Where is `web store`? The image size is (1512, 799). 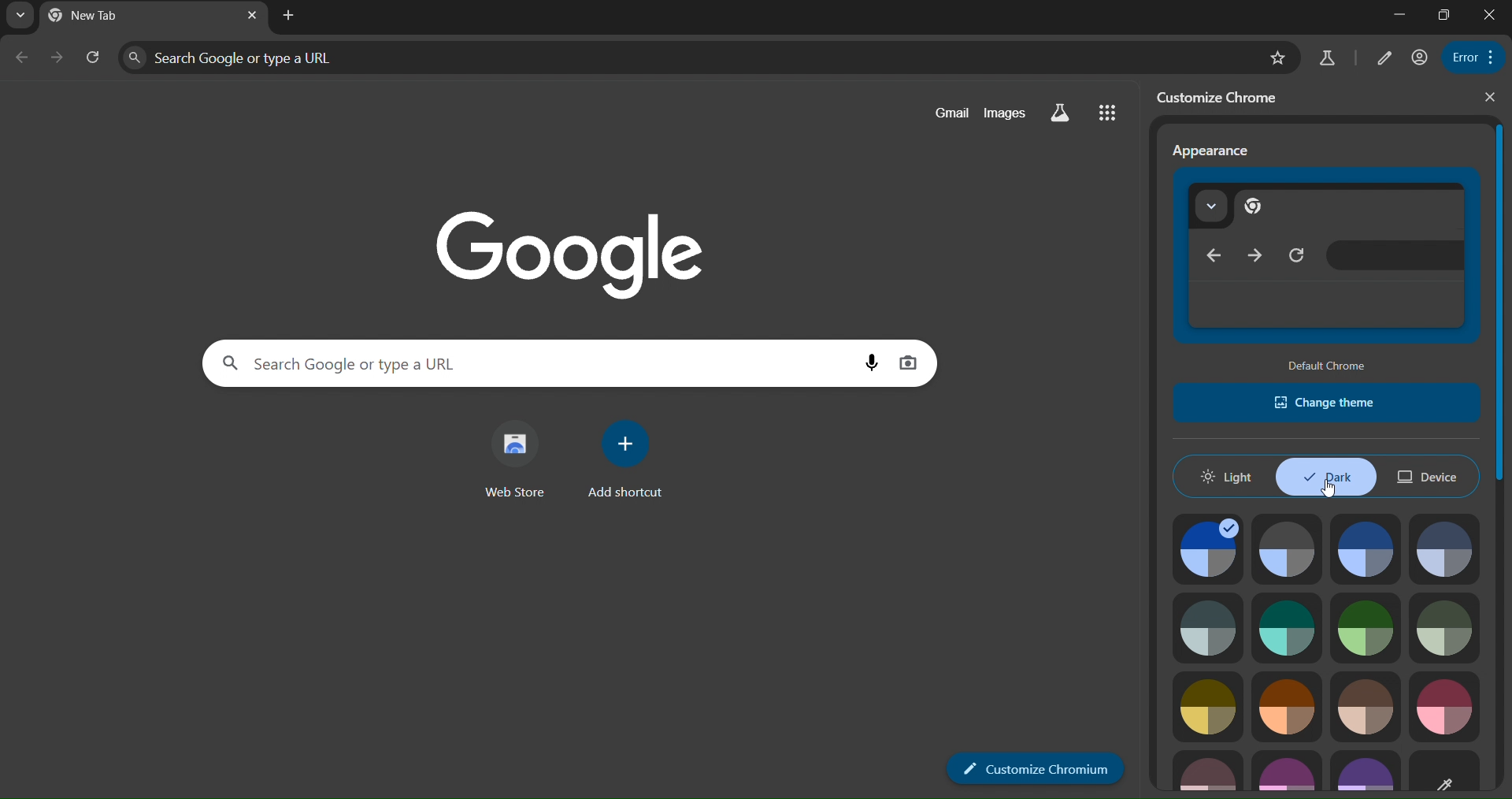 web store is located at coordinates (520, 459).